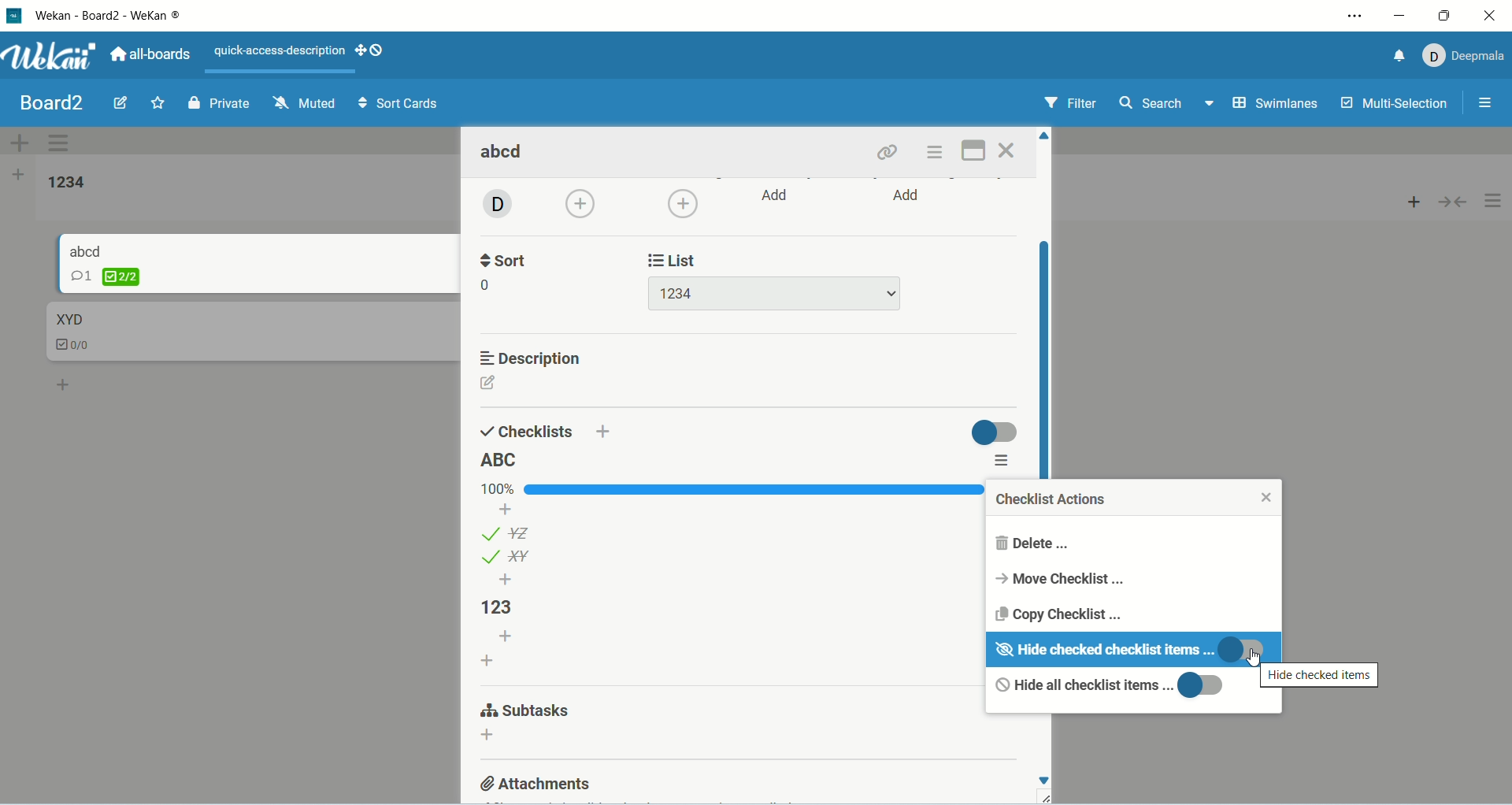 The width and height of the screenshot is (1512, 805). Describe the element at coordinates (1495, 202) in the screenshot. I see `options` at that location.